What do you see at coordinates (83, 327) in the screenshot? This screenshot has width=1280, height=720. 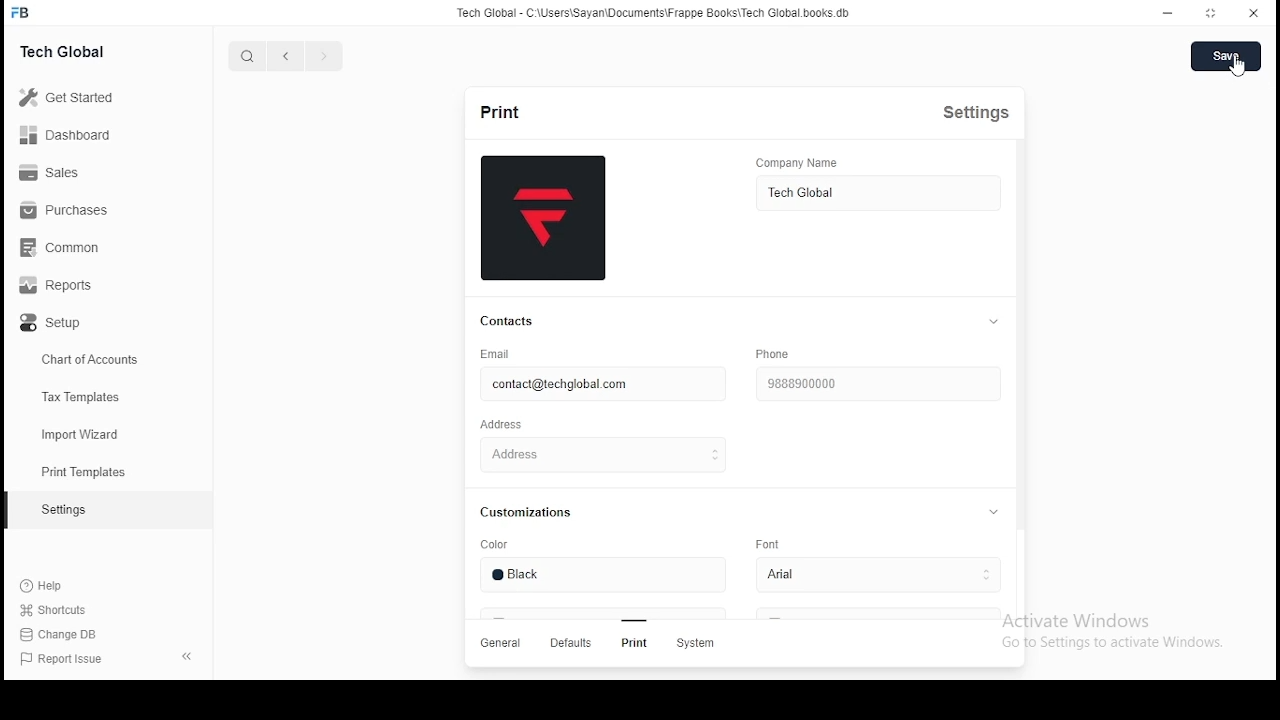 I see `setup ` at bounding box center [83, 327].